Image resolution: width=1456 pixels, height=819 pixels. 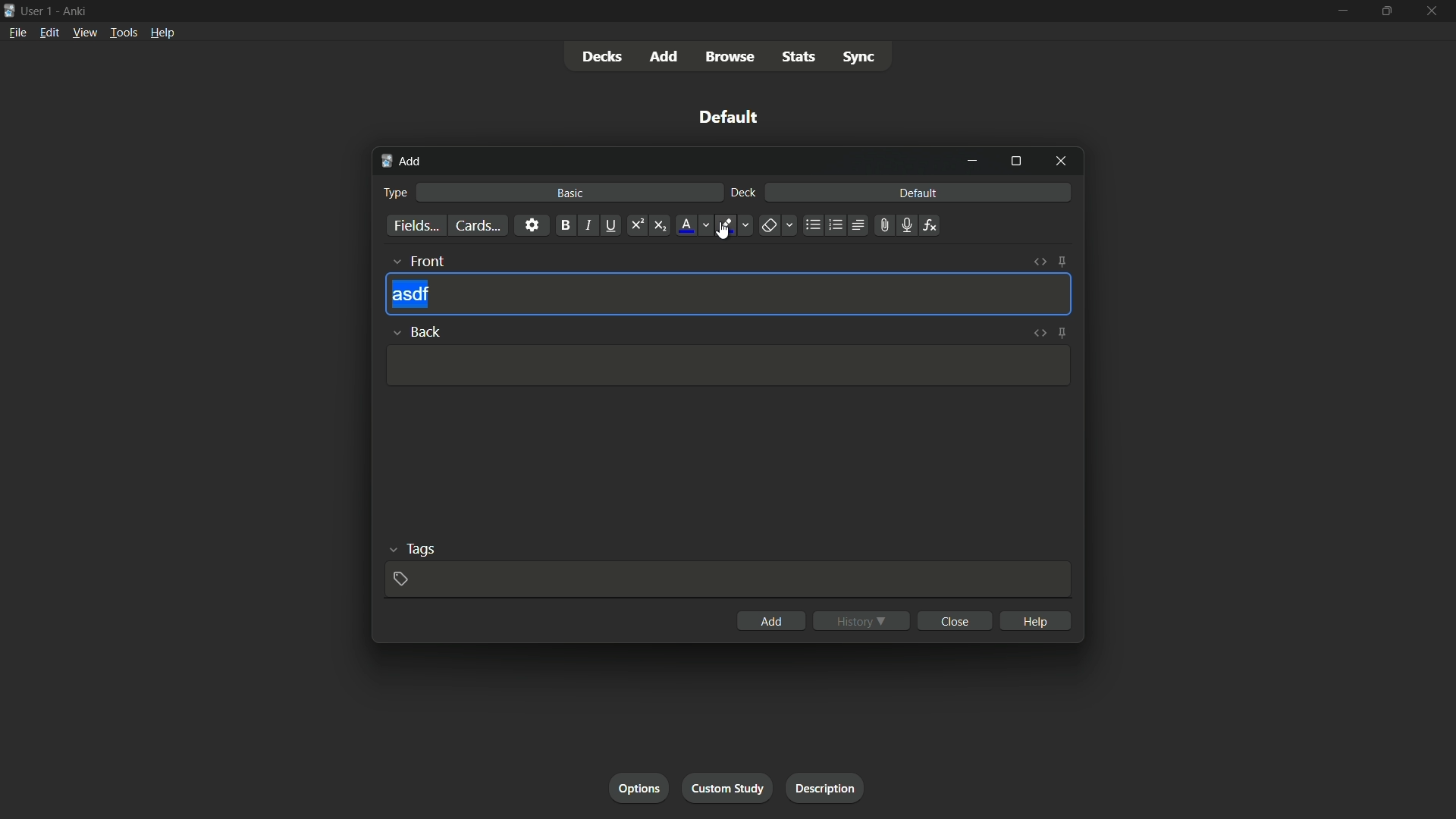 What do you see at coordinates (416, 225) in the screenshot?
I see `fields` at bounding box center [416, 225].